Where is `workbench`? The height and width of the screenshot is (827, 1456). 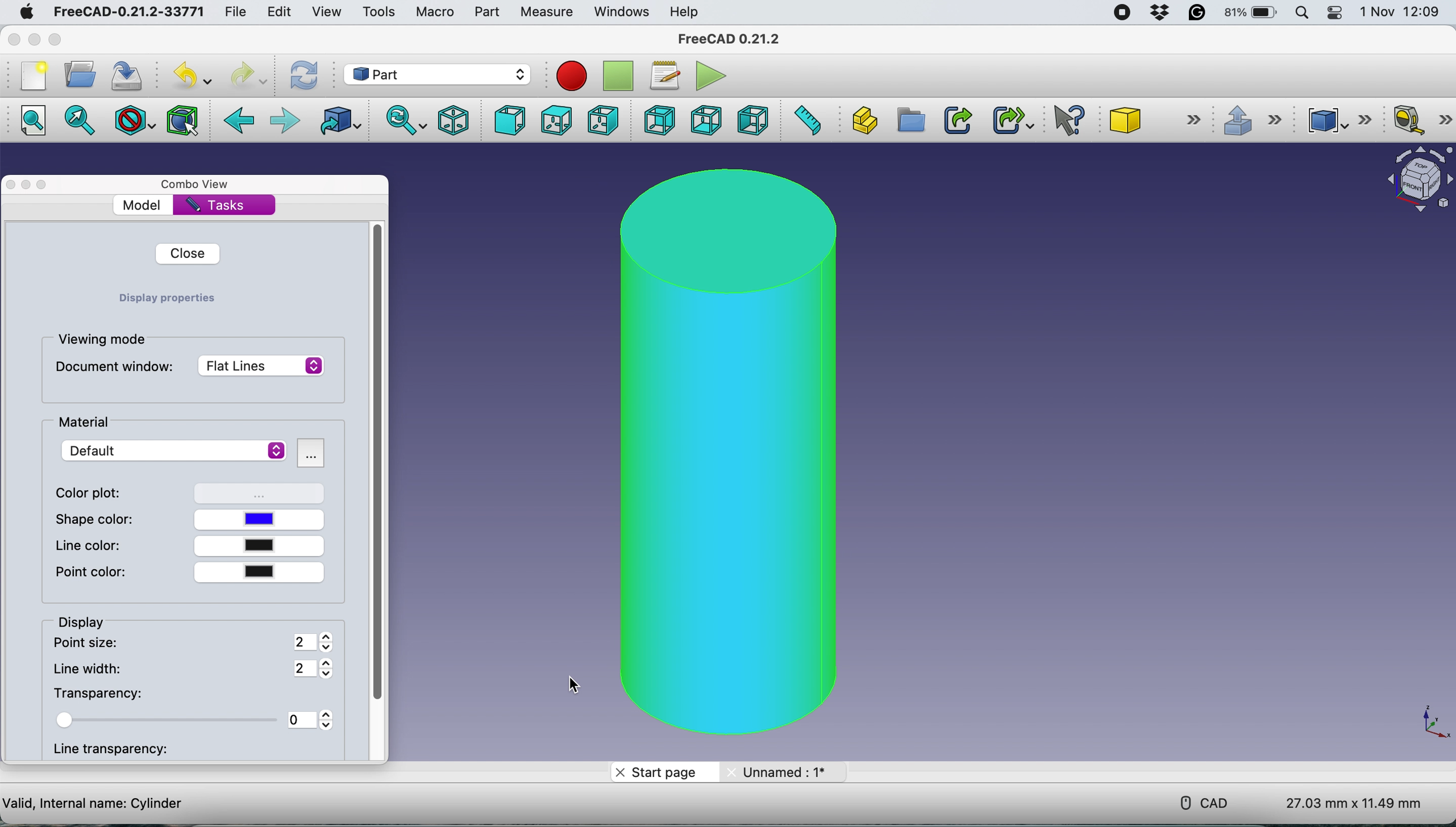
workbench is located at coordinates (440, 74).